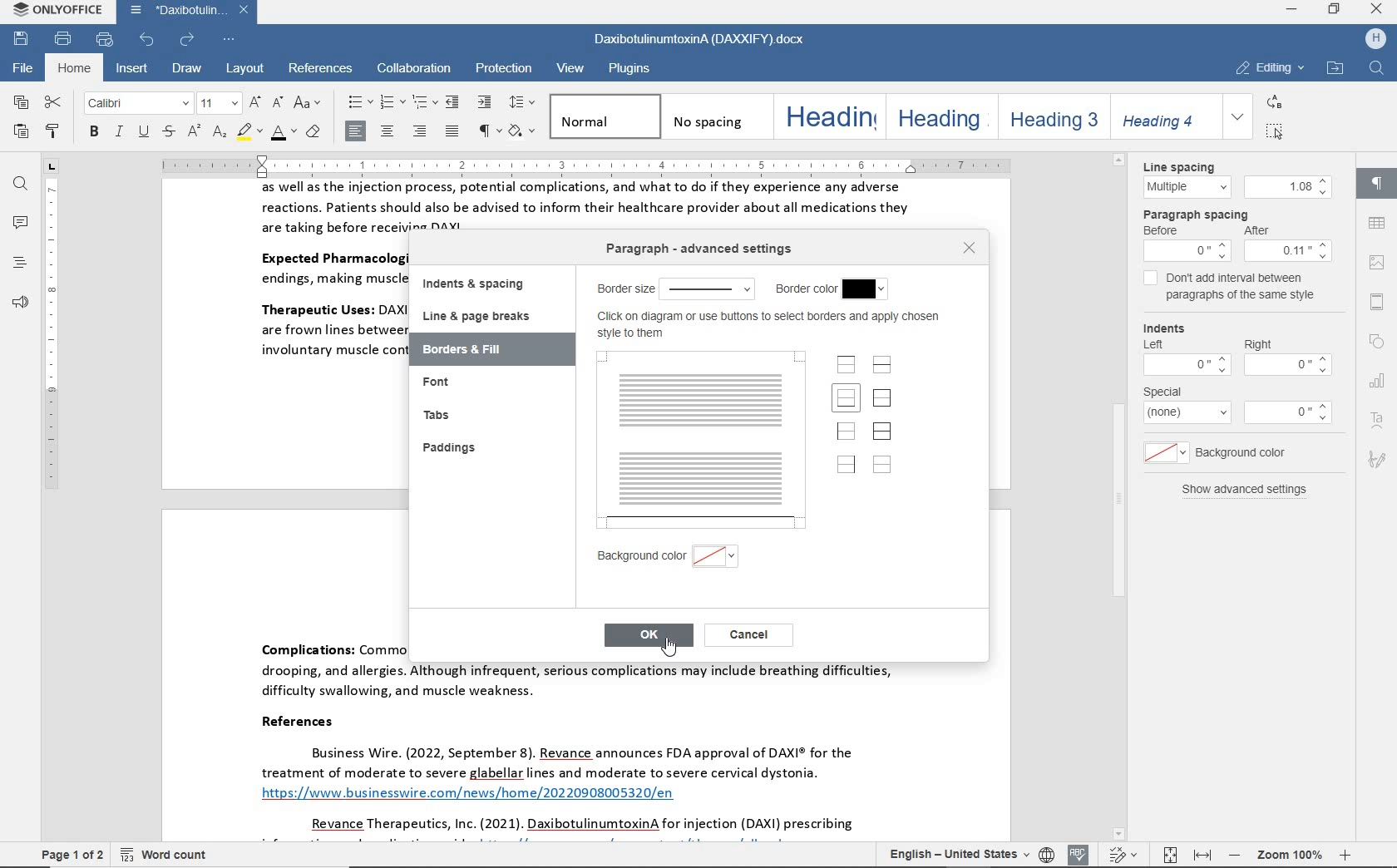 The width and height of the screenshot is (1397, 868). Describe the element at coordinates (307, 102) in the screenshot. I see `change case` at that location.